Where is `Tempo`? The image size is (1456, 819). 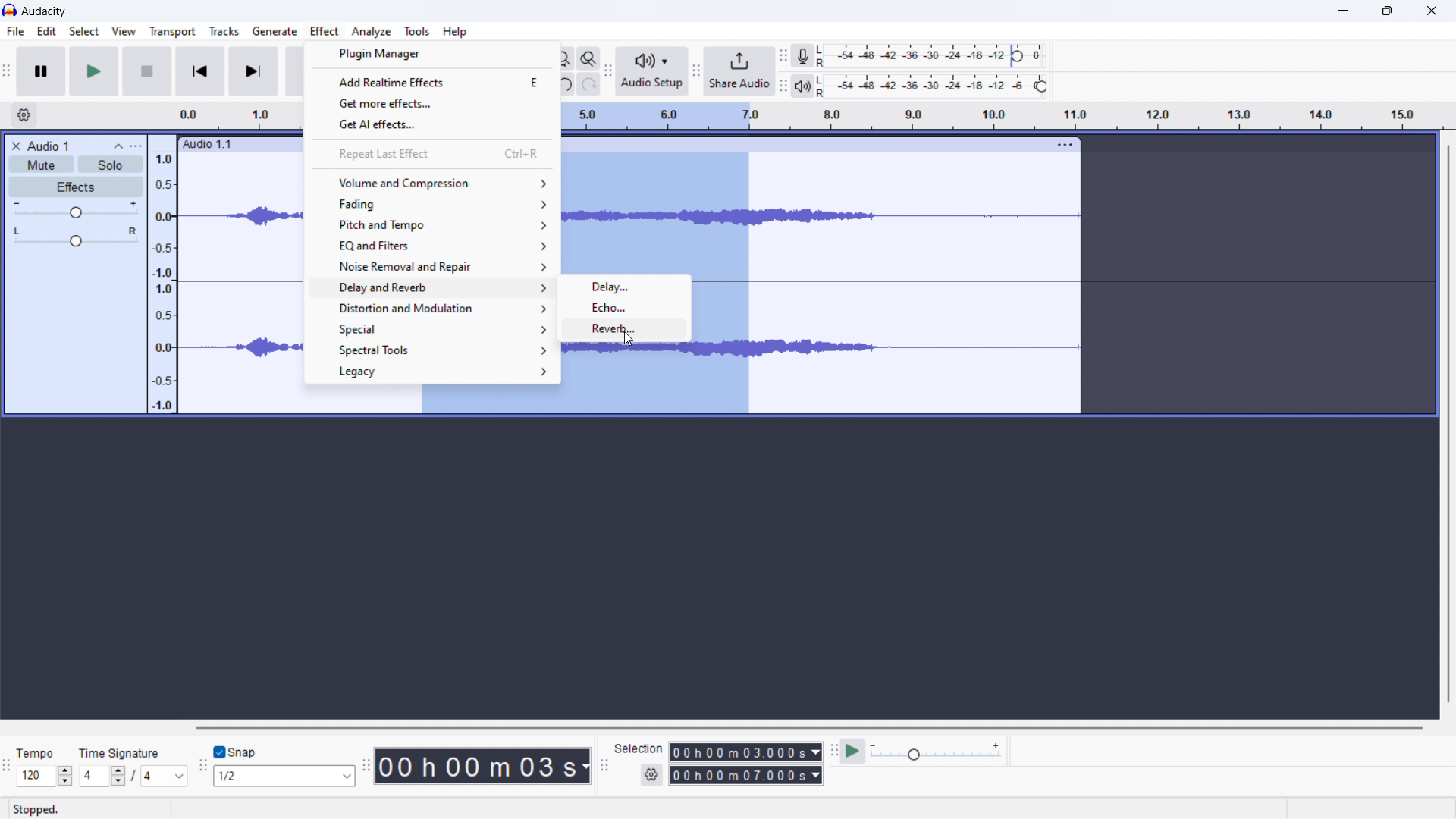 Tempo is located at coordinates (37, 754).